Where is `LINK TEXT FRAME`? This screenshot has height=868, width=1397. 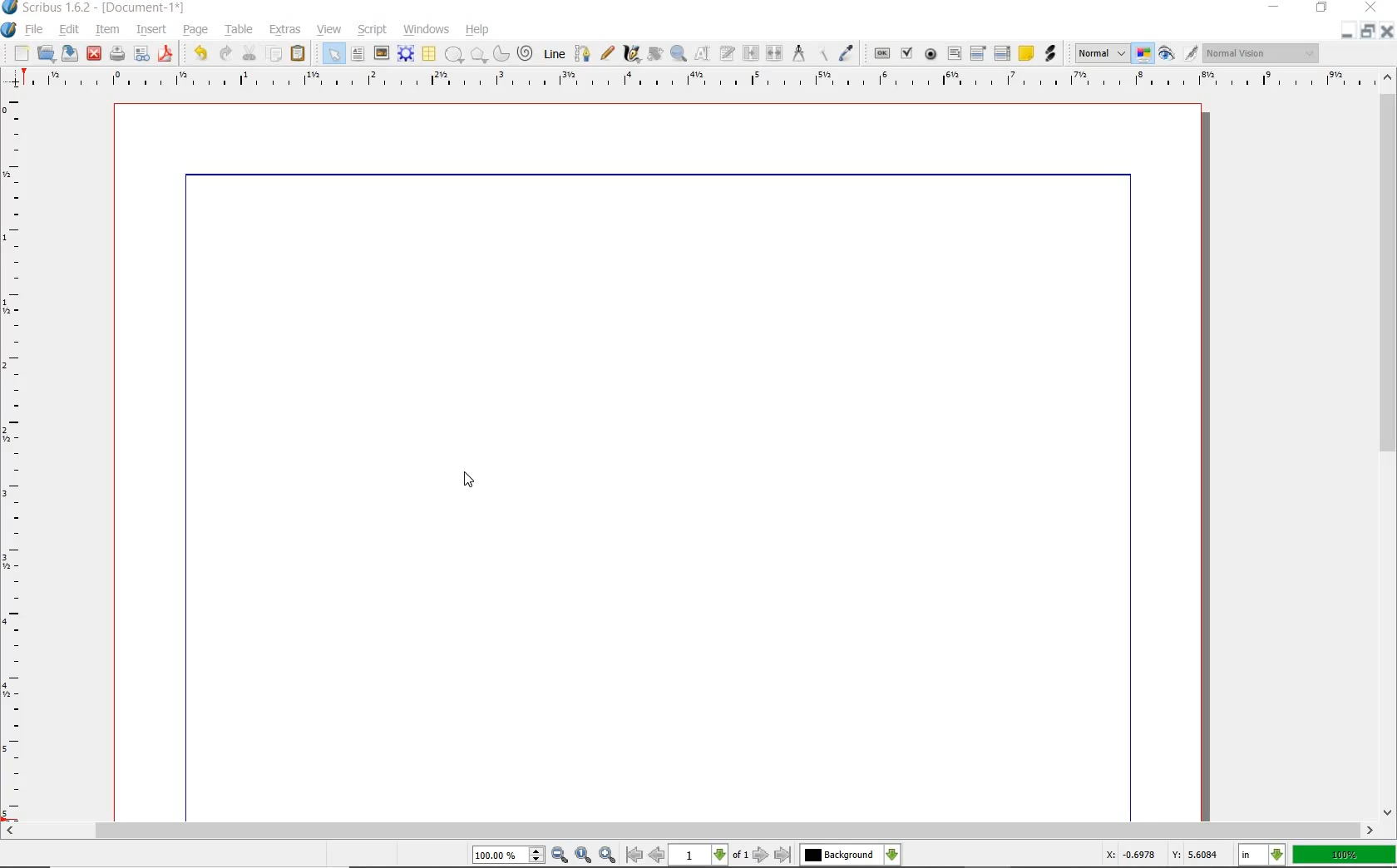
LINK TEXT FRAME is located at coordinates (751, 52).